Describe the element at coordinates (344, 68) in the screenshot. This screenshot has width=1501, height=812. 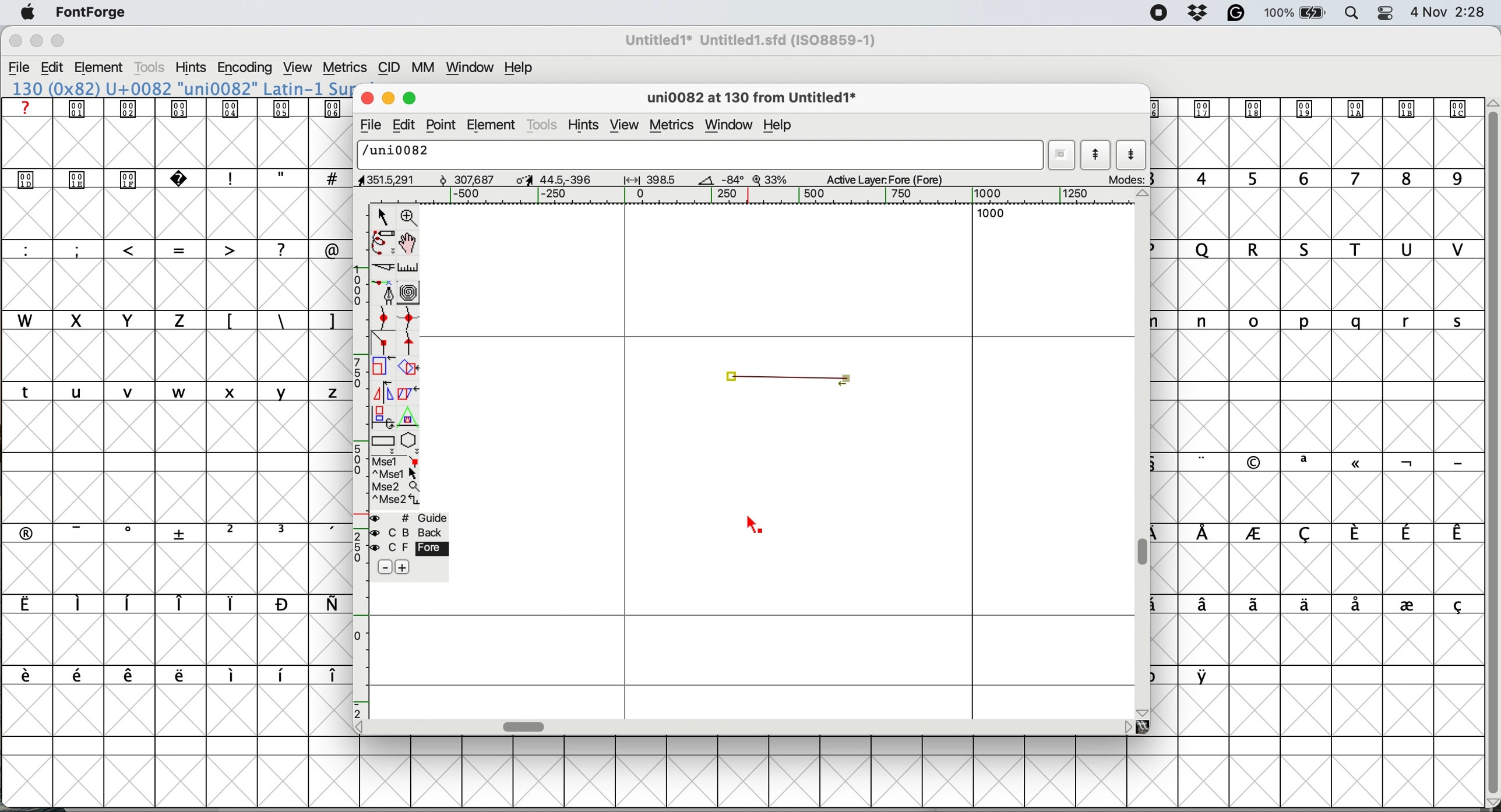
I see `metrics` at that location.